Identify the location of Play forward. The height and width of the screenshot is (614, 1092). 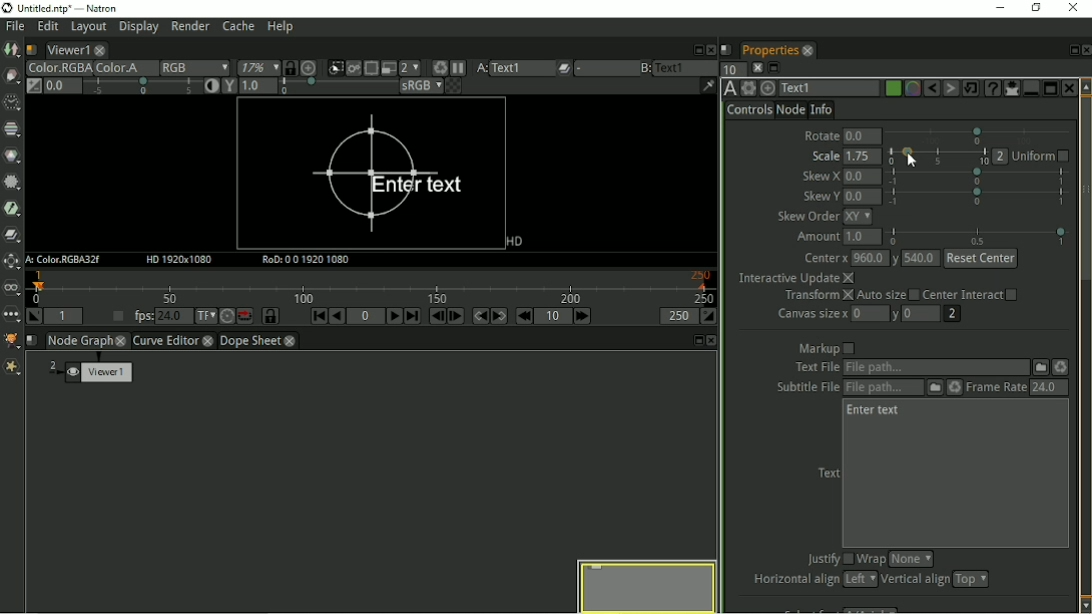
(393, 316).